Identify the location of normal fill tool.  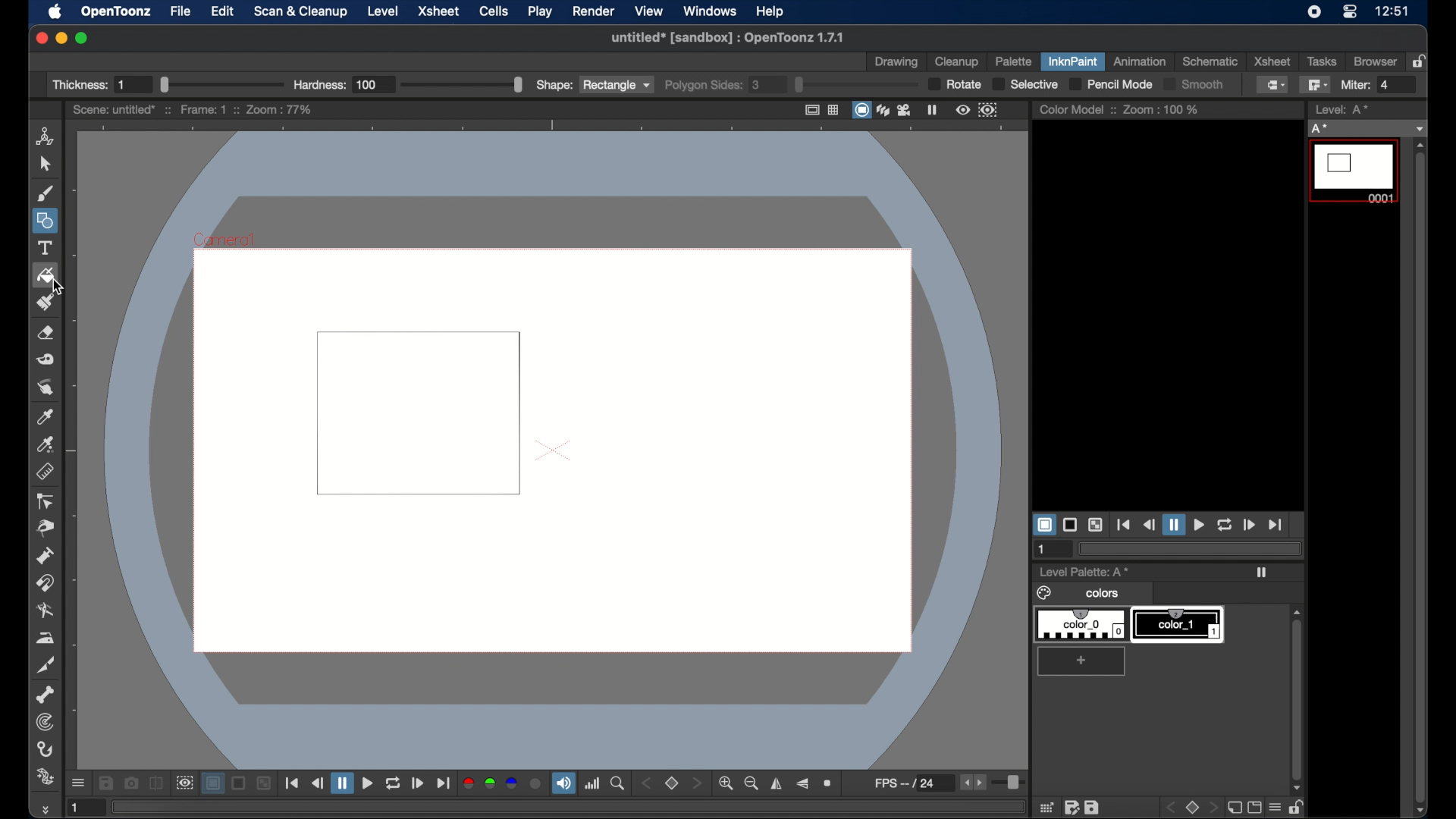
(1274, 85).